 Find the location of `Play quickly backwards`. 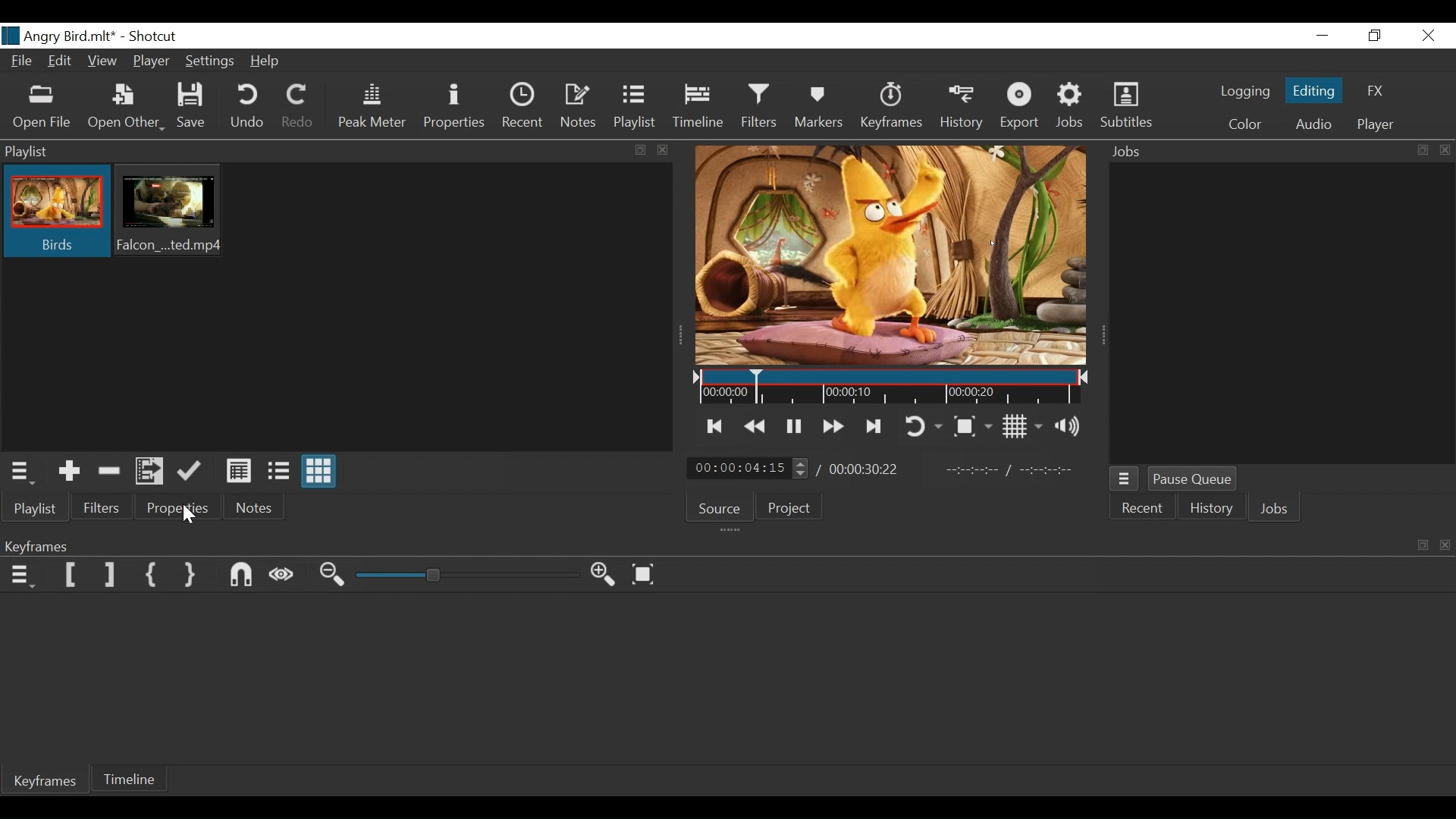

Play quickly backwards is located at coordinates (756, 426).